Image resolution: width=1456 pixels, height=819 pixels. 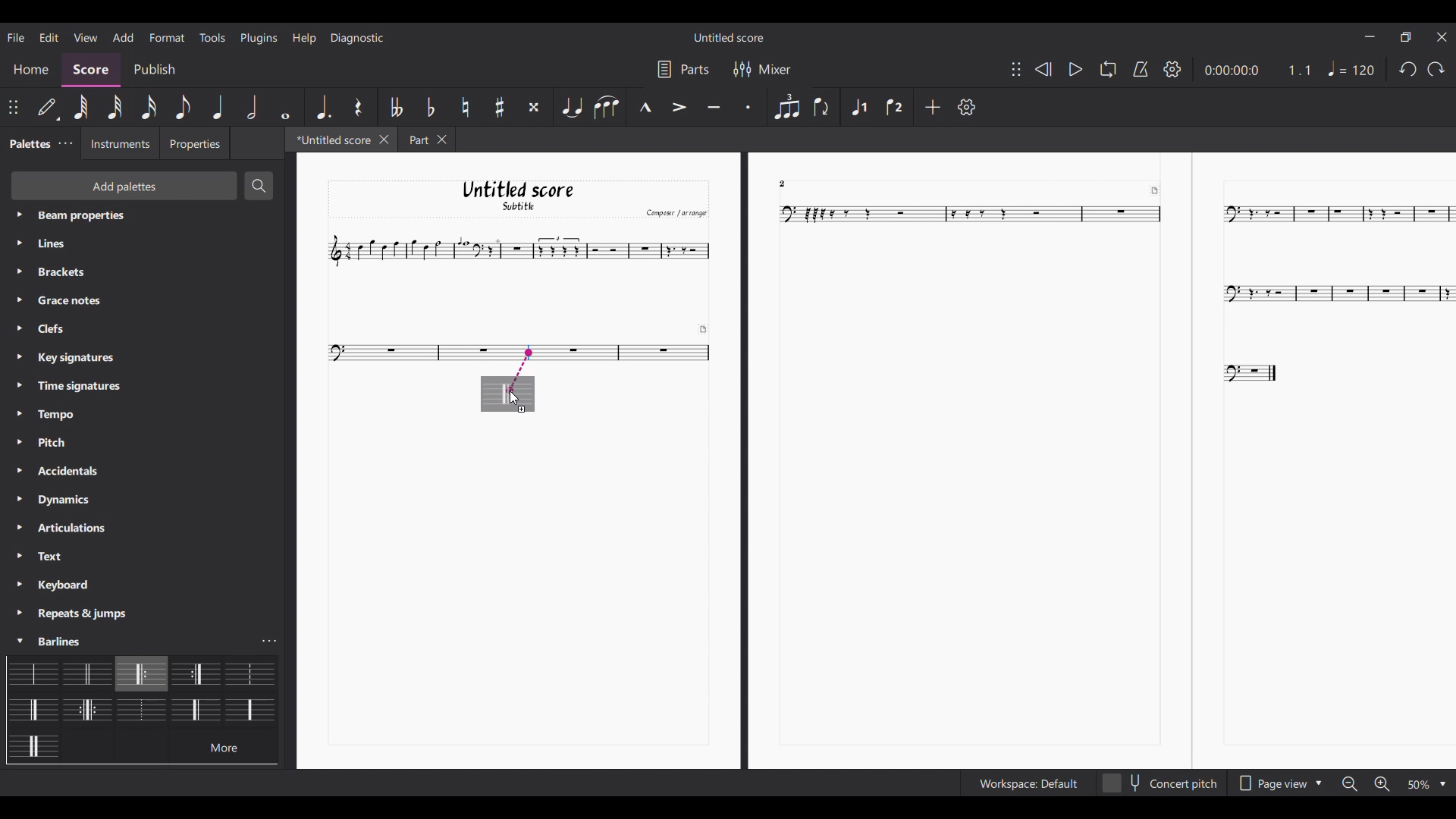 What do you see at coordinates (32, 746) in the screenshot?
I see `Barline options` at bounding box center [32, 746].